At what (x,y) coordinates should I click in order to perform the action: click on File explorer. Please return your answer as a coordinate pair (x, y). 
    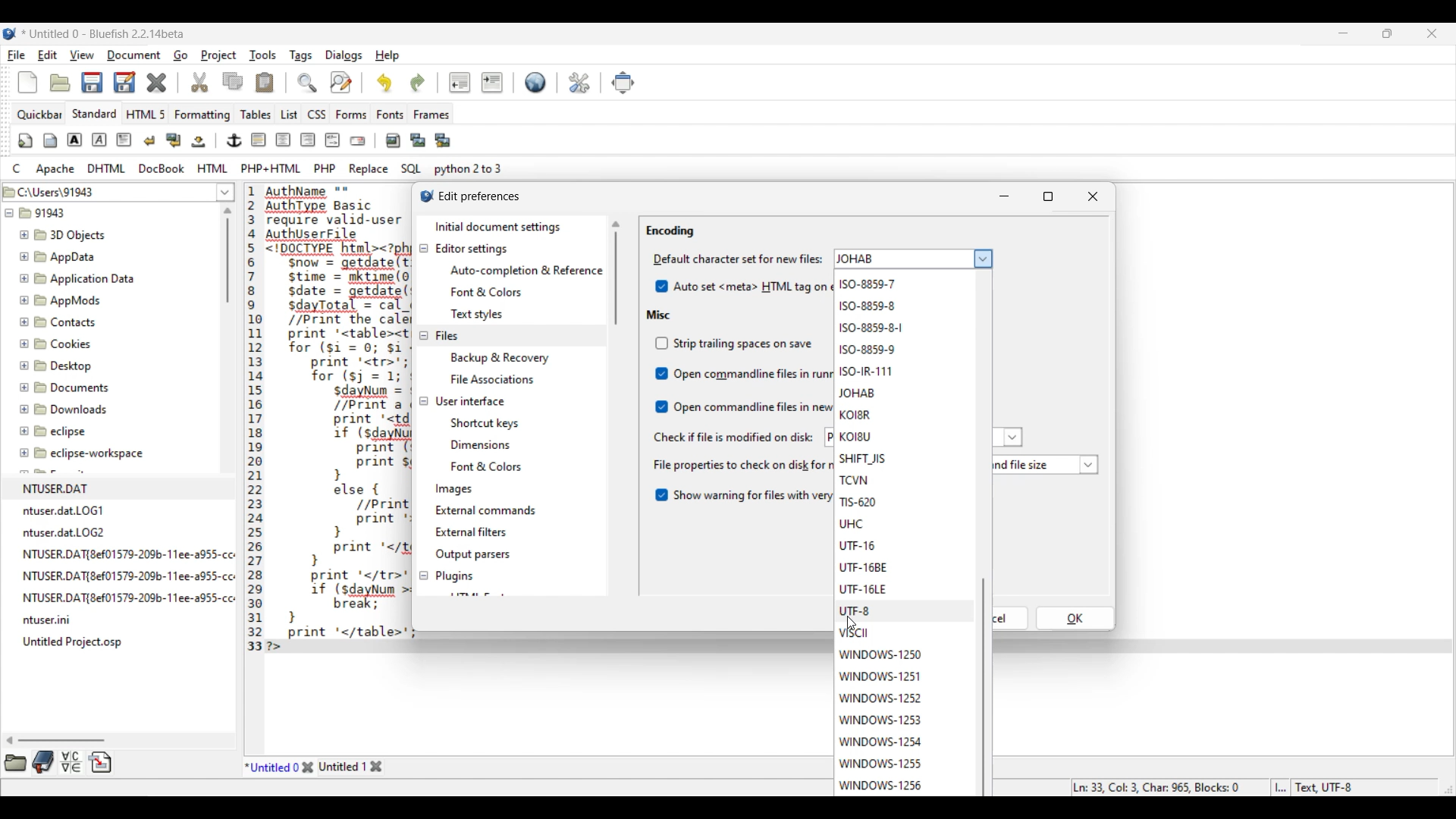
    Looking at the image, I should click on (109, 416).